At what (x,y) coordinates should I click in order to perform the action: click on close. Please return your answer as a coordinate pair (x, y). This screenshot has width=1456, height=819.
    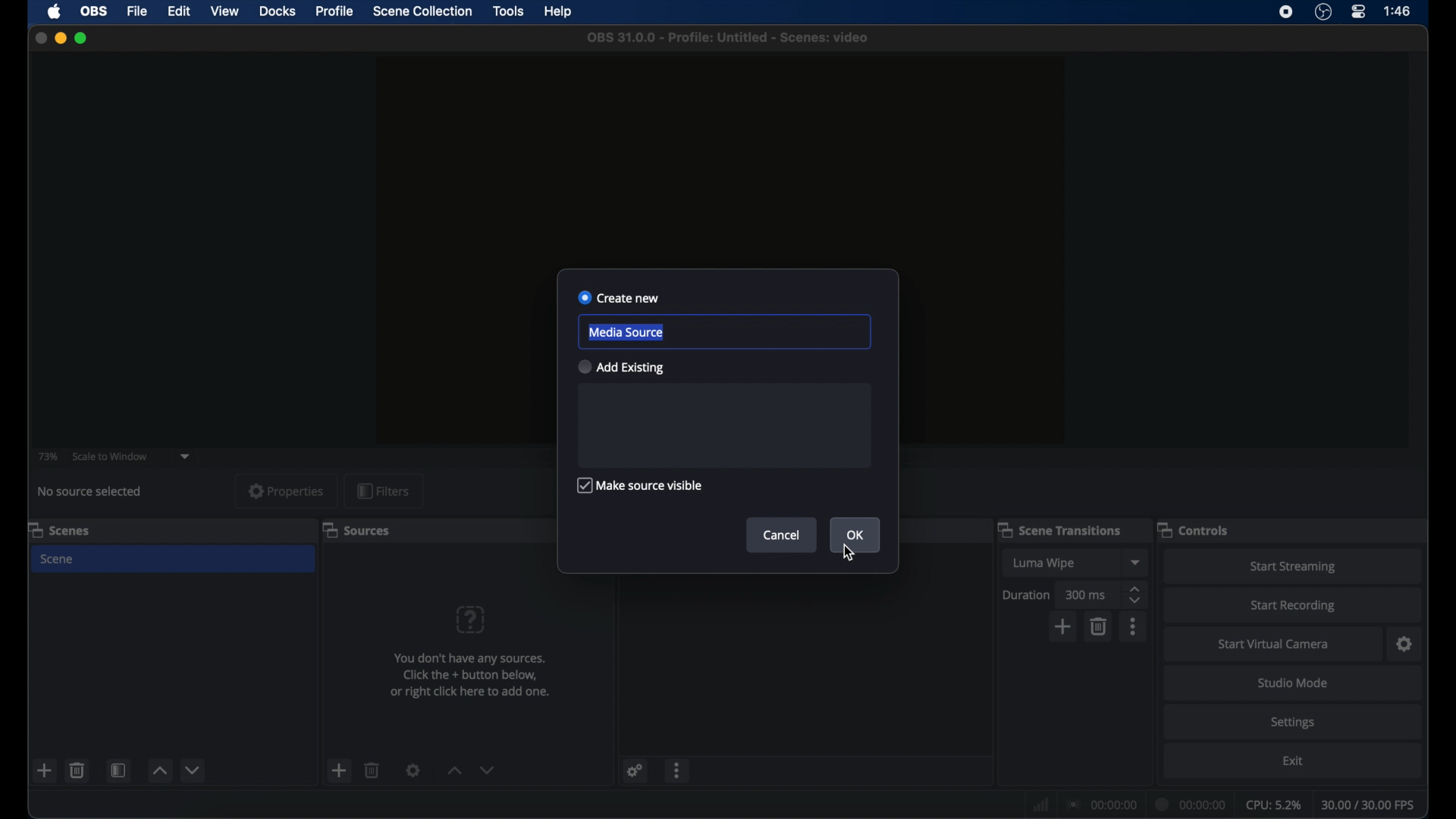
    Looking at the image, I should click on (41, 39).